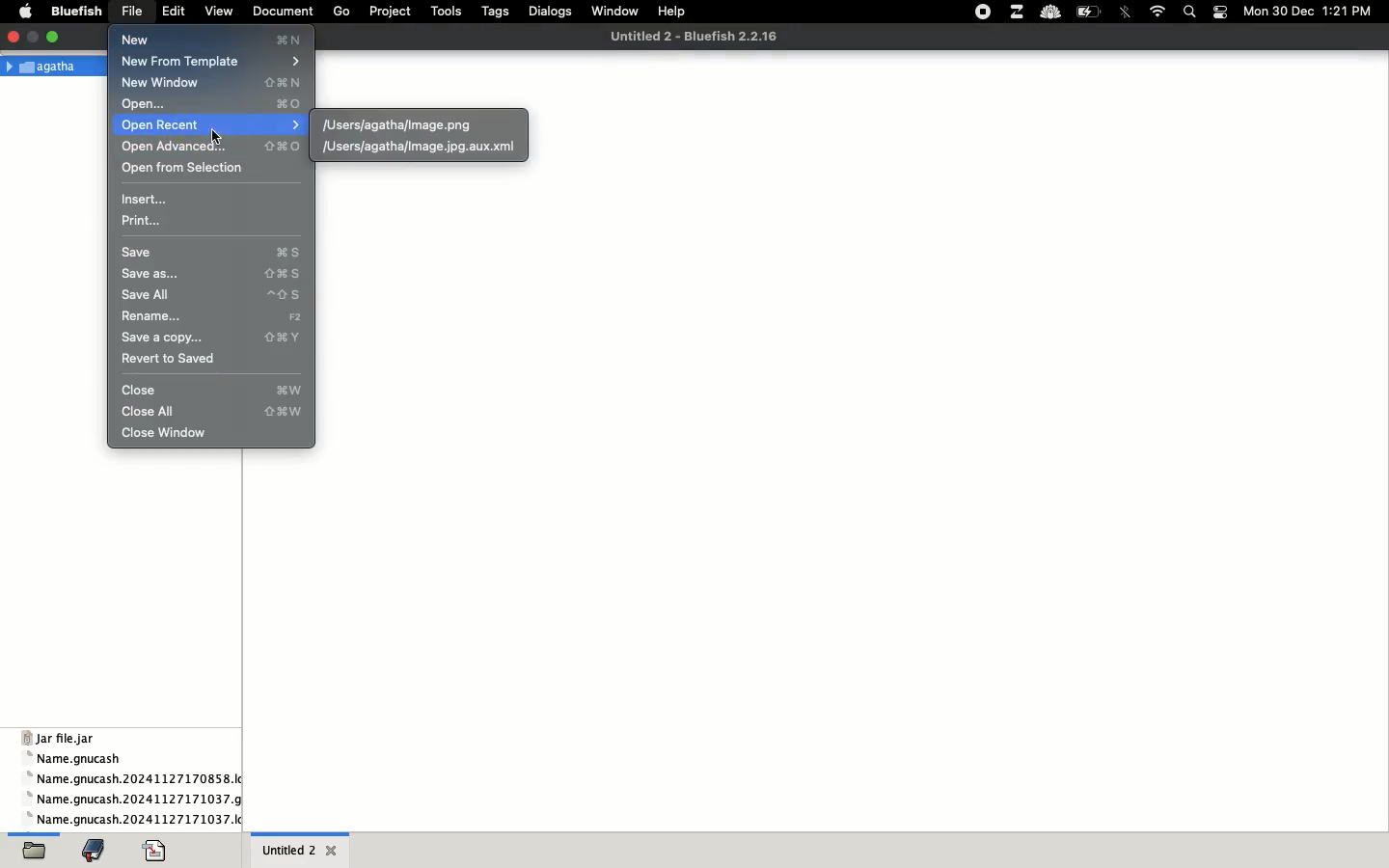 The height and width of the screenshot is (868, 1389). Describe the element at coordinates (134, 799) in the screenshot. I see `name gnucash` at that location.